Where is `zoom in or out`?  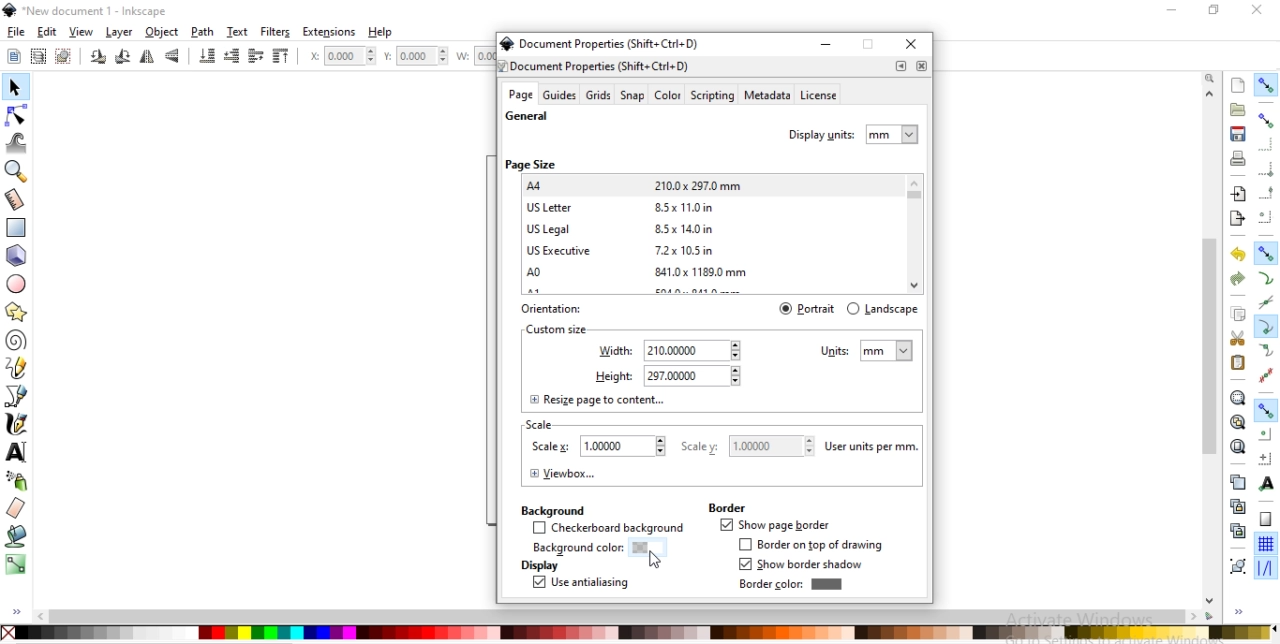
zoom in or out is located at coordinates (18, 171).